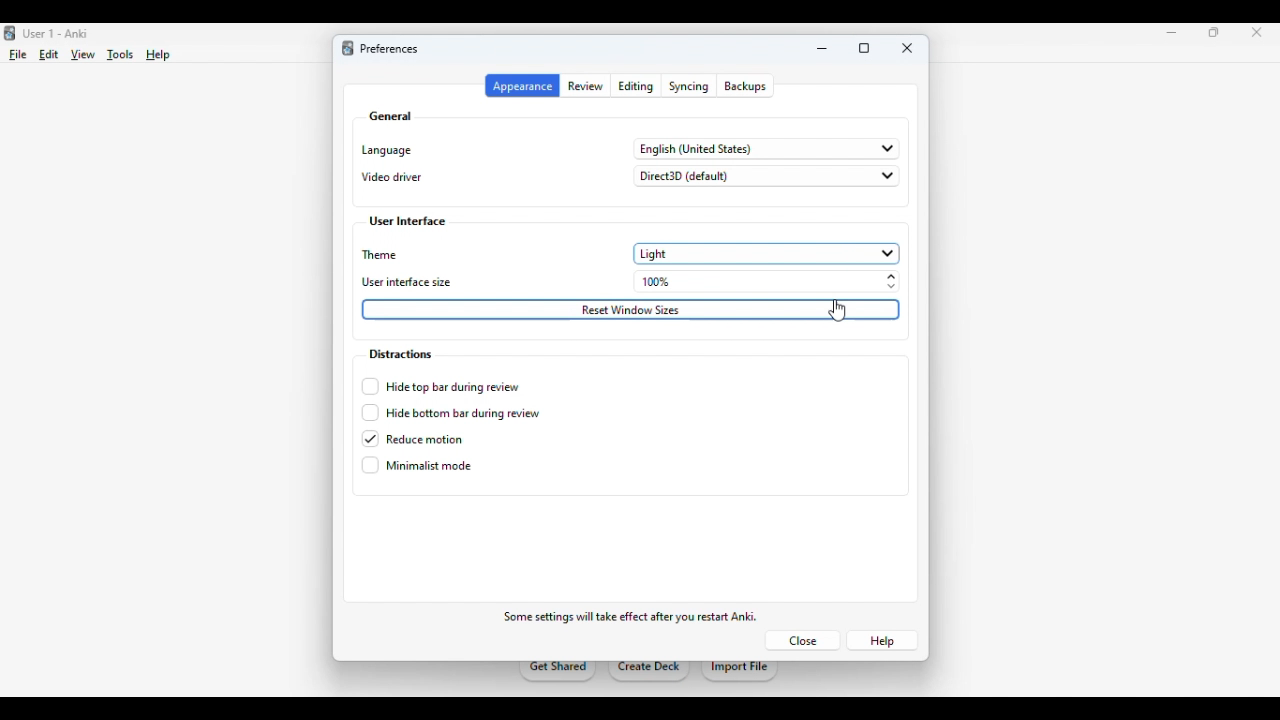 The image size is (1280, 720). What do you see at coordinates (10, 33) in the screenshot?
I see `logo` at bounding box center [10, 33].